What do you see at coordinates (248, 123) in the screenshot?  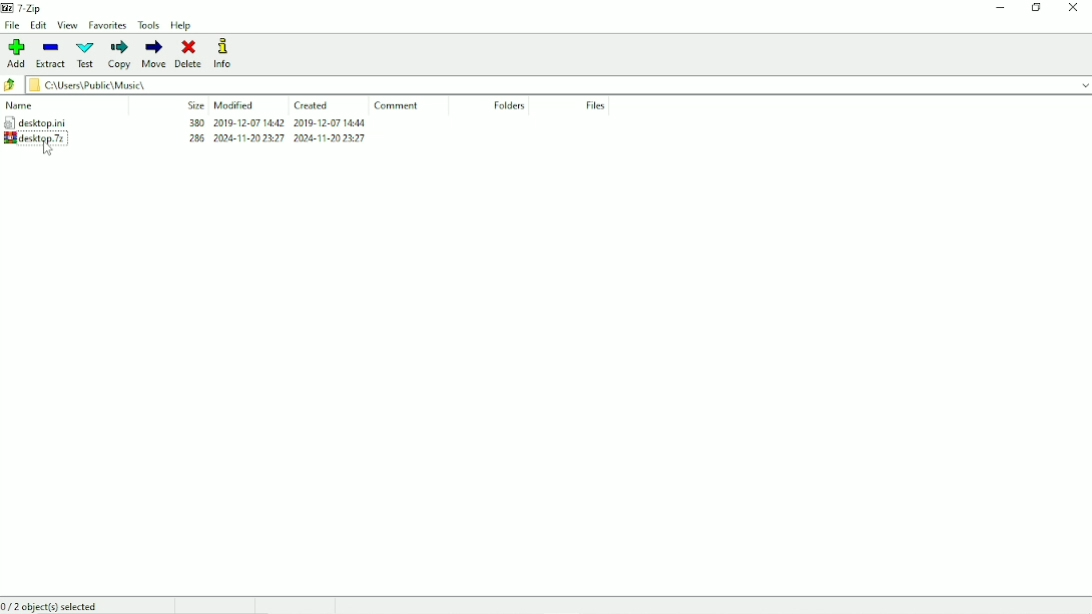 I see `modified date & time` at bounding box center [248, 123].